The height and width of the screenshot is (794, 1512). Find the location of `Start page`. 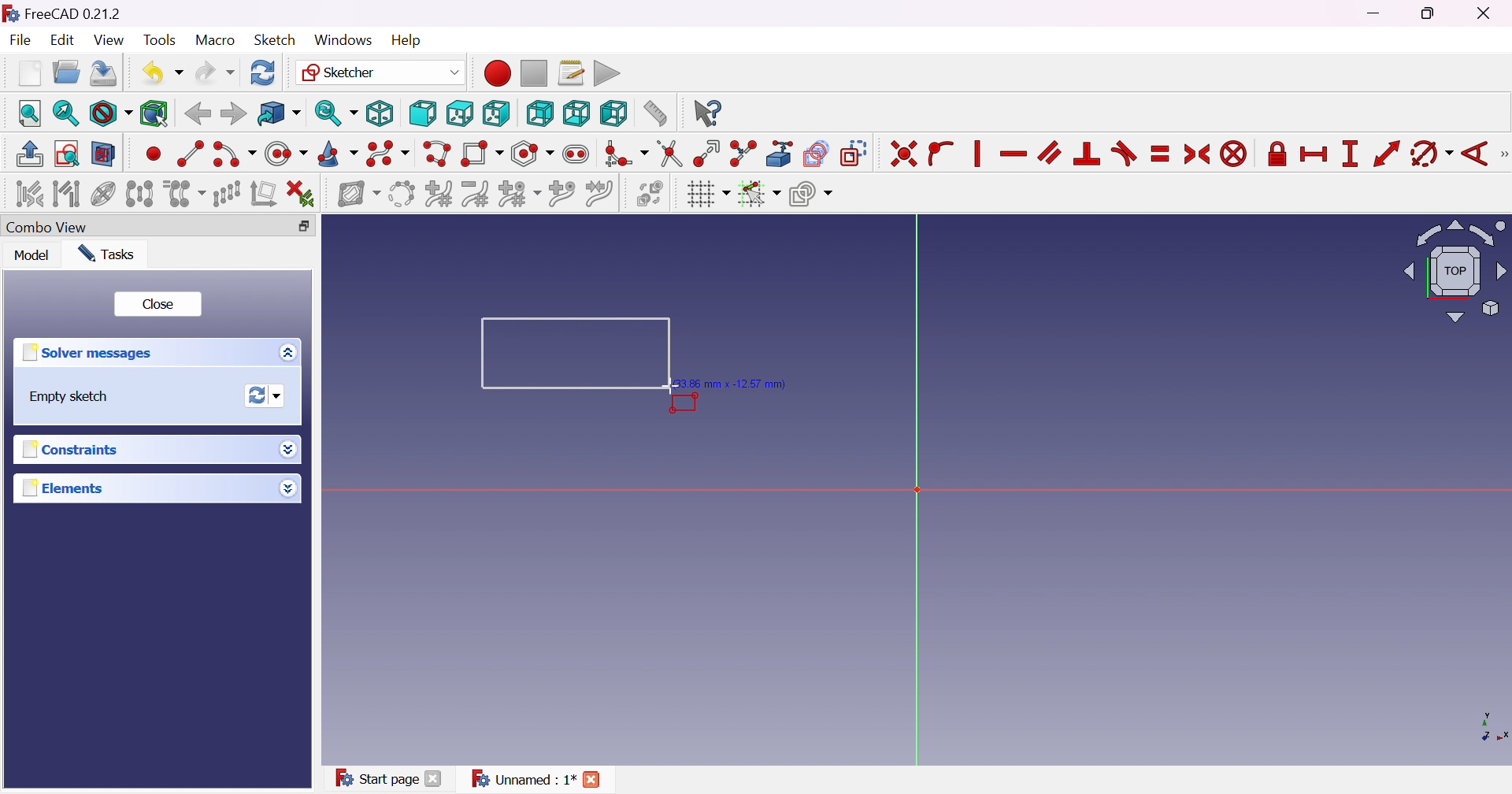

Start page is located at coordinates (373, 777).